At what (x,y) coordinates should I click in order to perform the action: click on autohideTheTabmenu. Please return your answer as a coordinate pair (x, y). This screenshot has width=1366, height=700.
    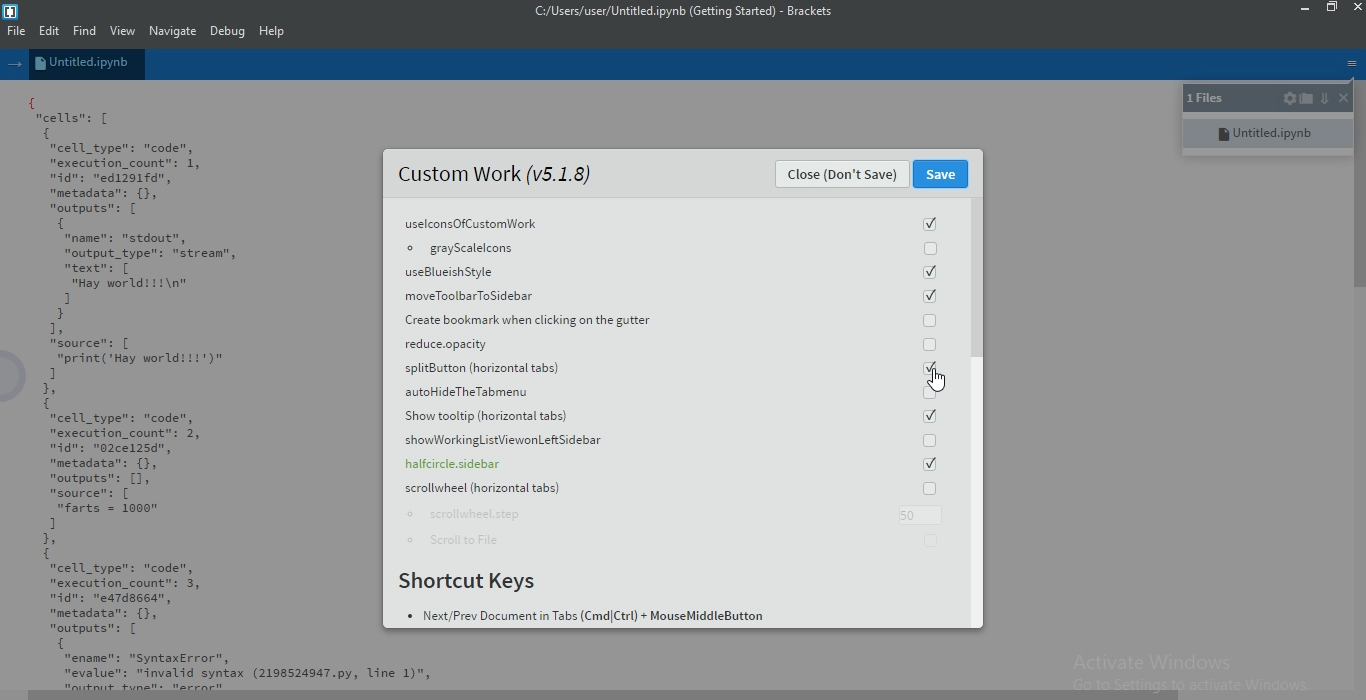
    Looking at the image, I should click on (676, 394).